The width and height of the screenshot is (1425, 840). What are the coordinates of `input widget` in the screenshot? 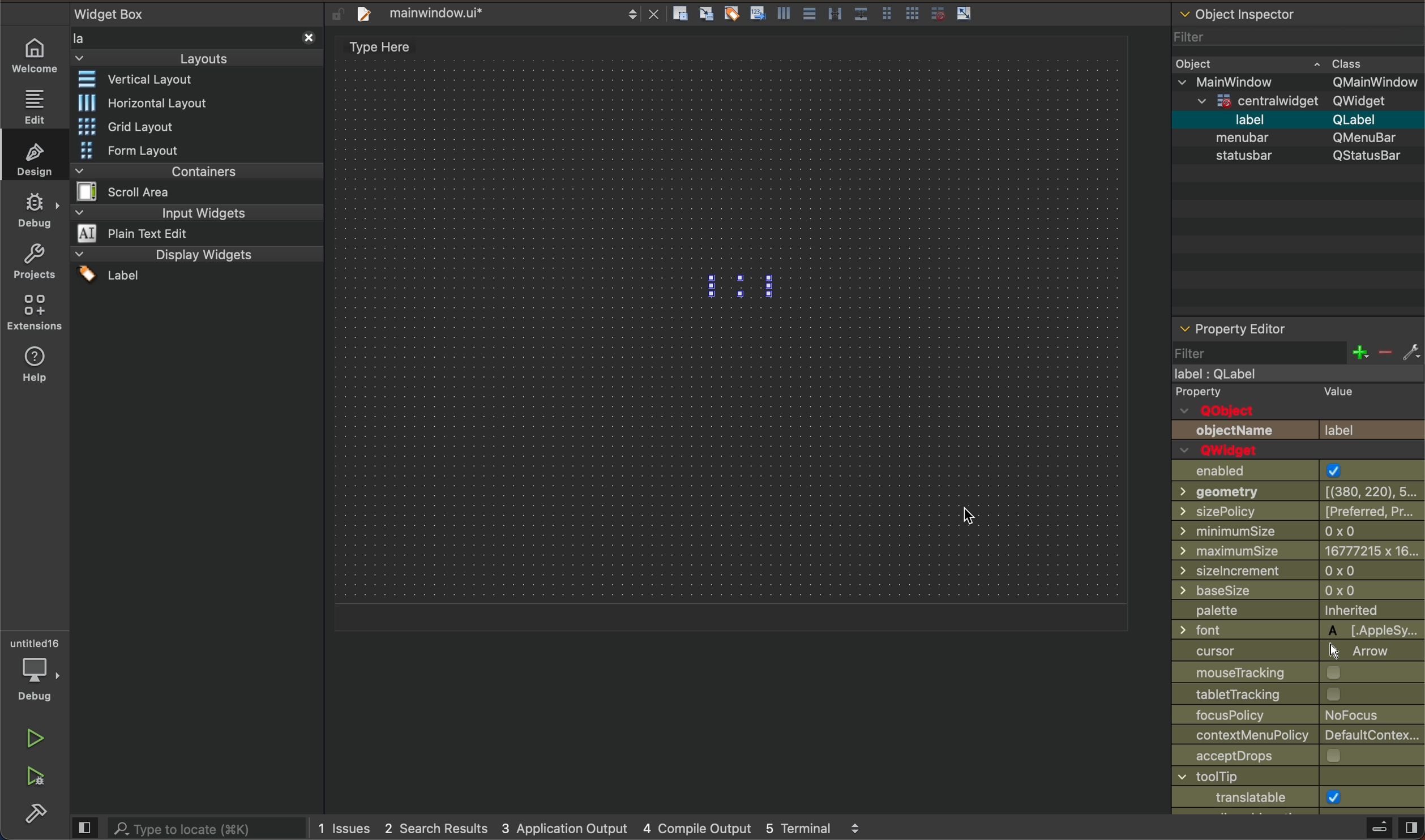 It's located at (195, 224).